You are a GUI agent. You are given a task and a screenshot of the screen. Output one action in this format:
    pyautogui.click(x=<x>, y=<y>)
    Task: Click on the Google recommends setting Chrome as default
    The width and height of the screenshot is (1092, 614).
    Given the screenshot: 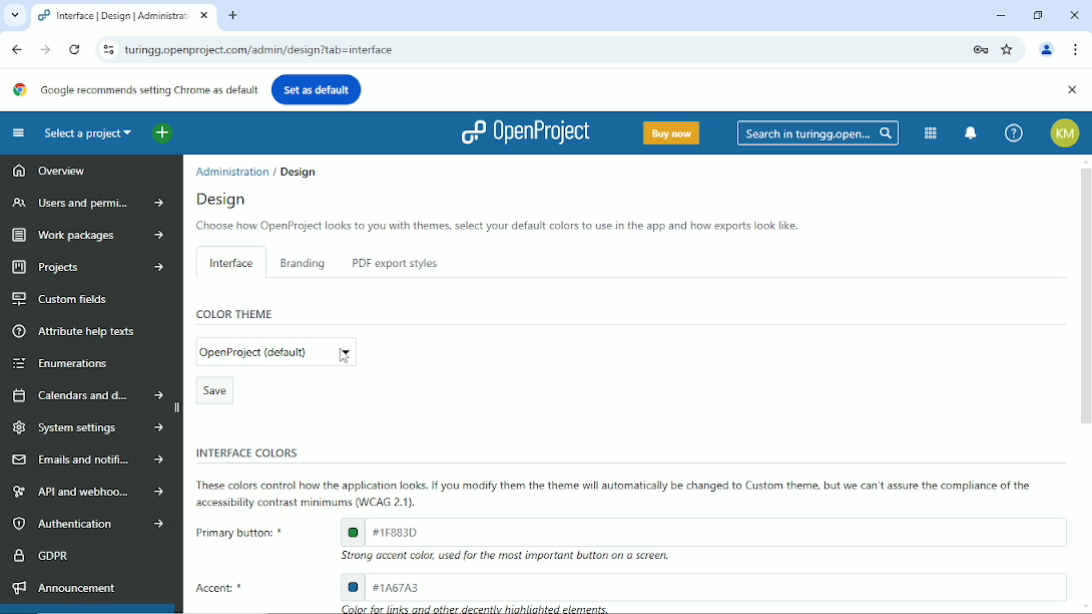 What is the action you would take?
    pyautogui.click(x=135, y=89)
    